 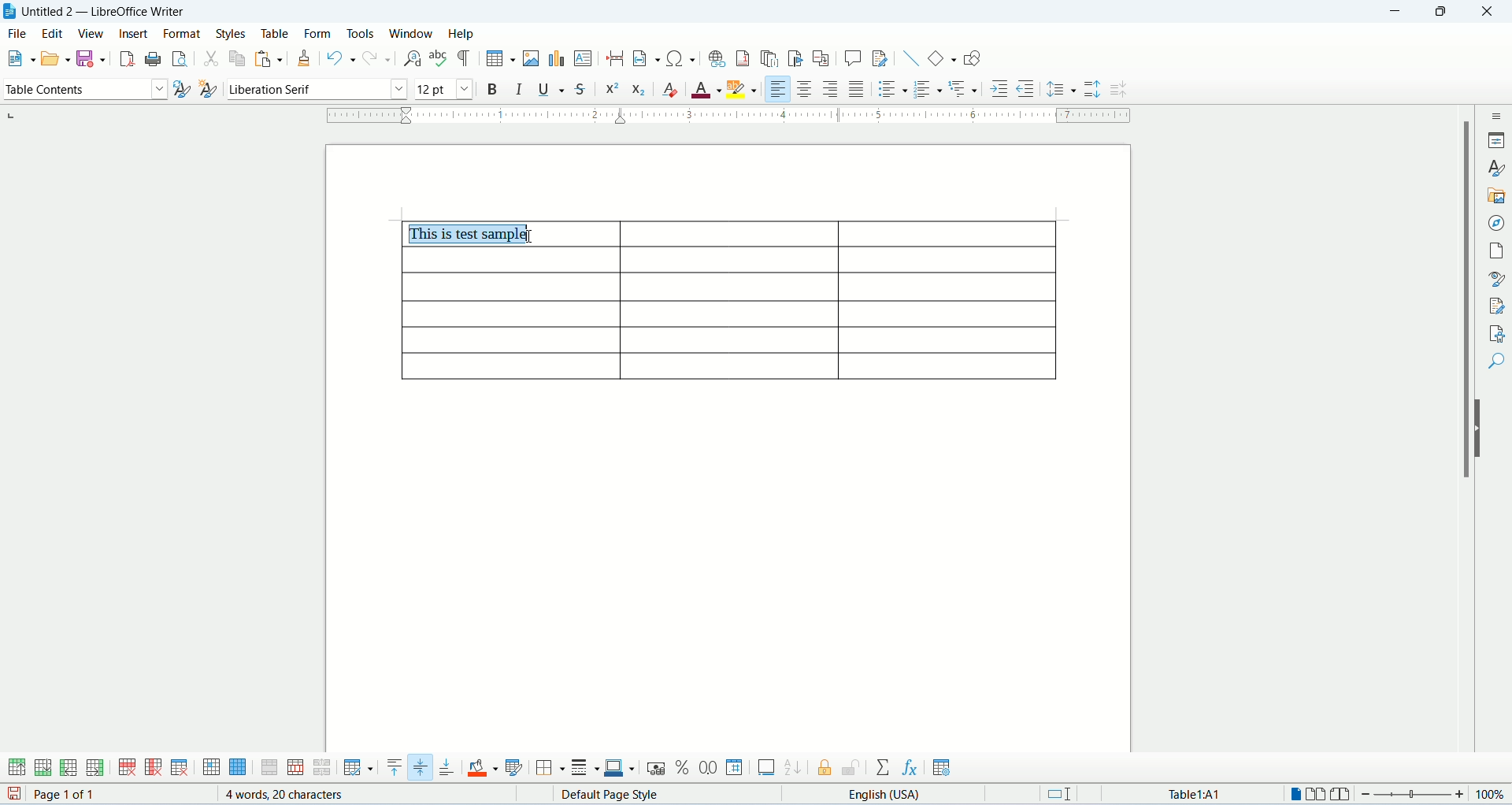 What do you see at coordinates (943, 57) in the screenshot?
I see `basic shapes` at bounding box center [943, 57].